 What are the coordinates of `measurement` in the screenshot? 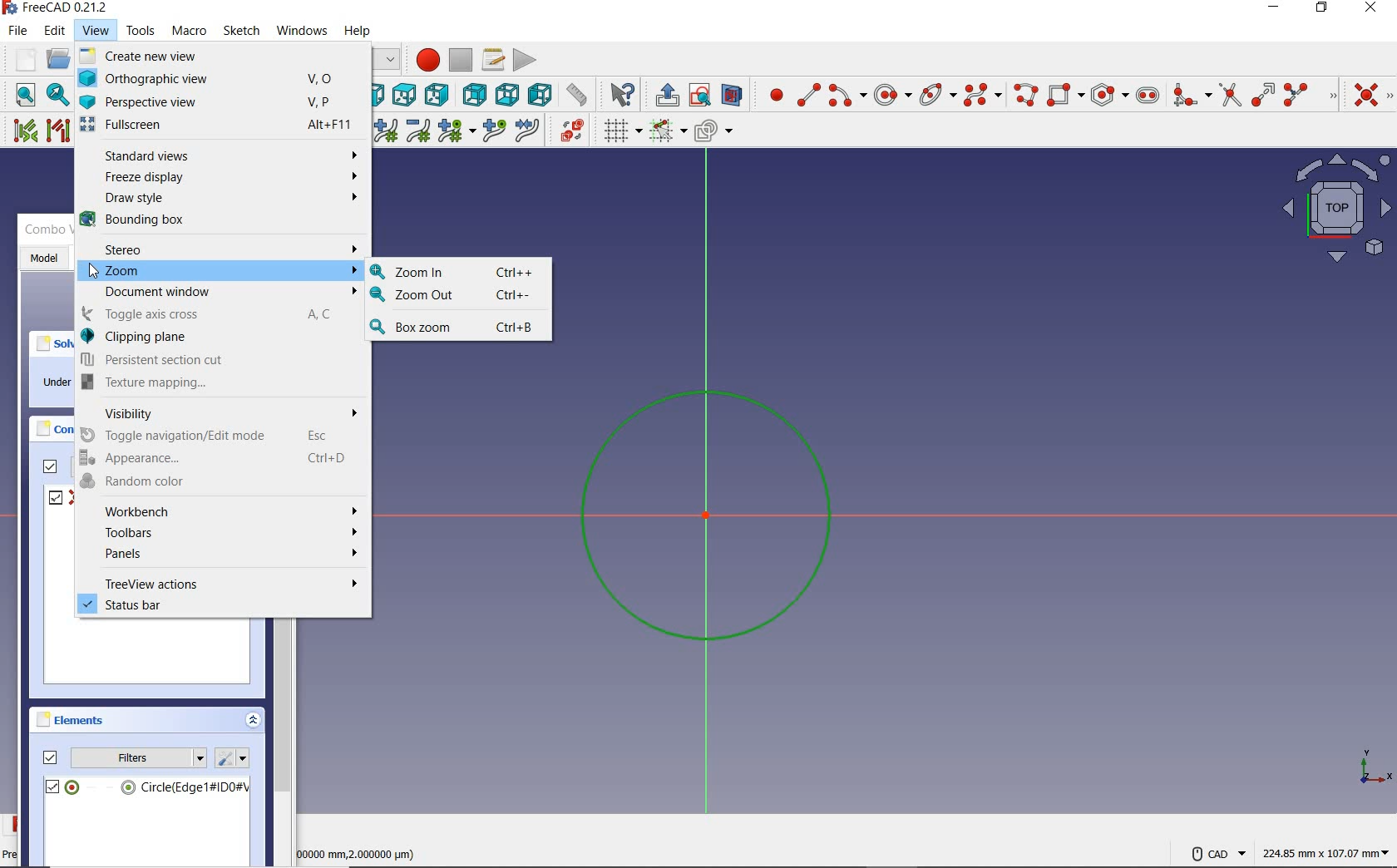 It's located at (576, 96).